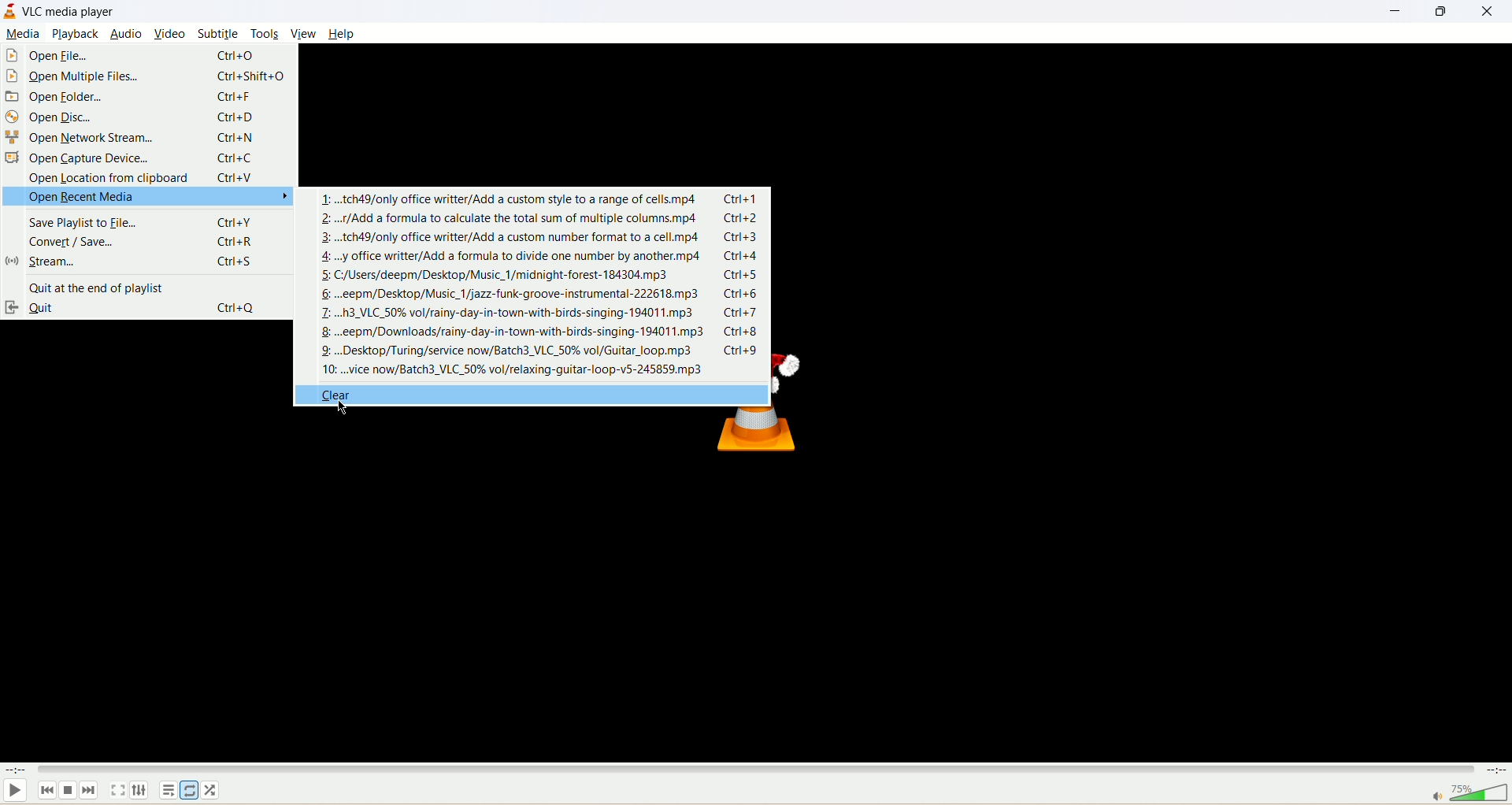 The image size is (1512, 805). What do you see at coordinates (510, 239) in the screenshot?
I see `3: ..tch49/only office writter/Add a custom number format to a cell. mp4` at bounding box center [510, 239].